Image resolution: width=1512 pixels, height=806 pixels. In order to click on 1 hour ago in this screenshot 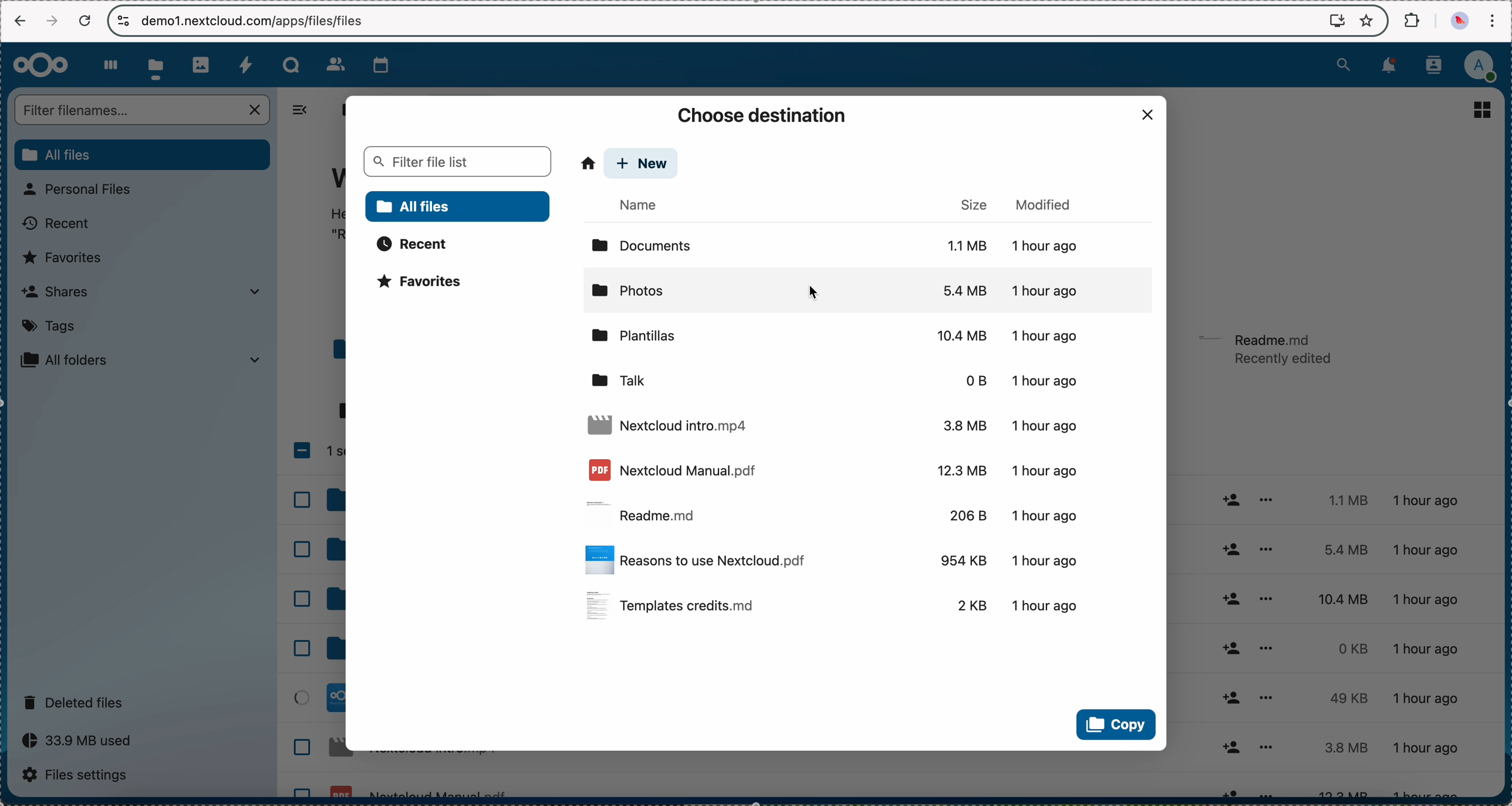, I will do `click(1437, 645)`.